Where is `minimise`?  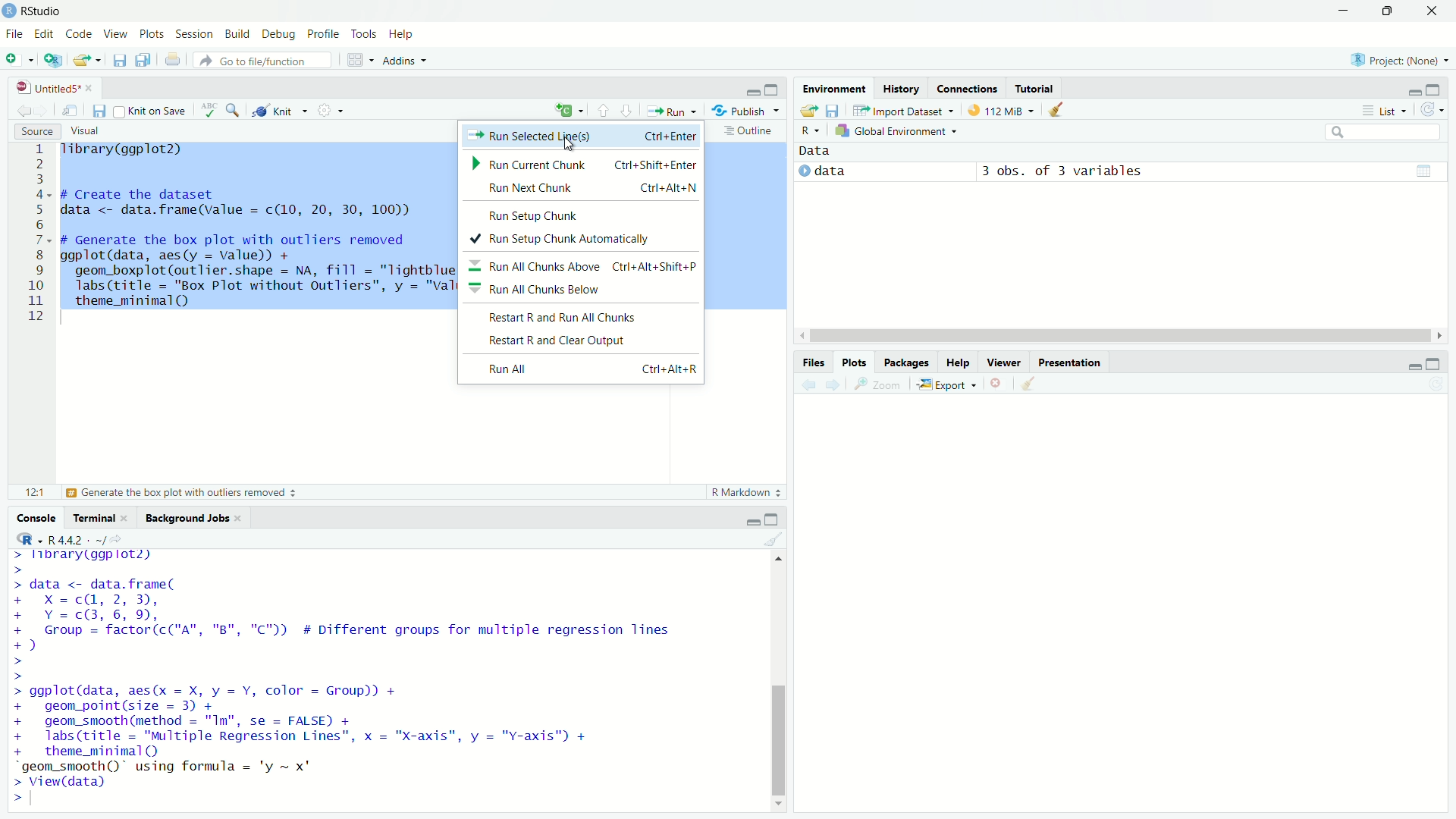 minimise is located at coordinates (755, 517).